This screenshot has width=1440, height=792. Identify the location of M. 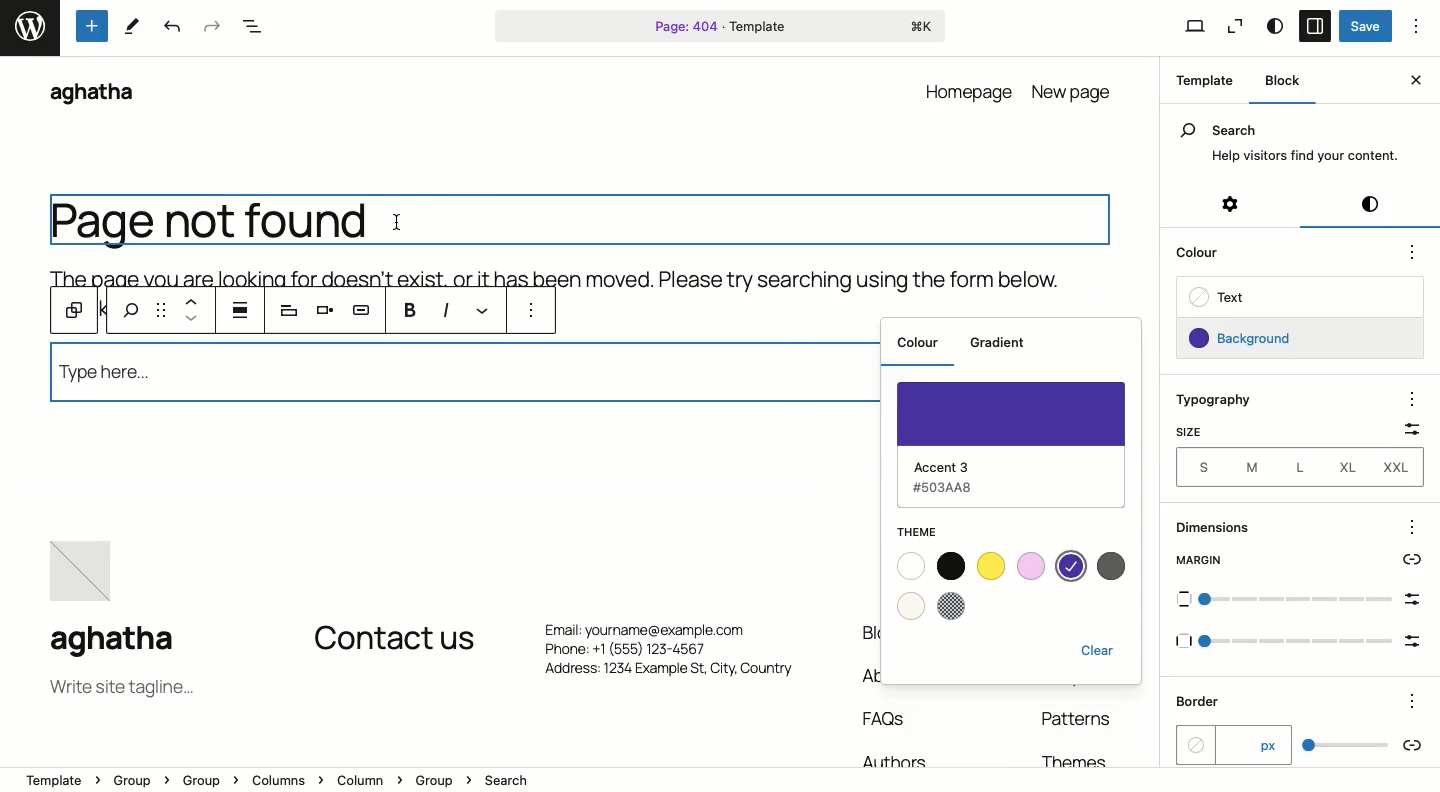
(1248, 466).